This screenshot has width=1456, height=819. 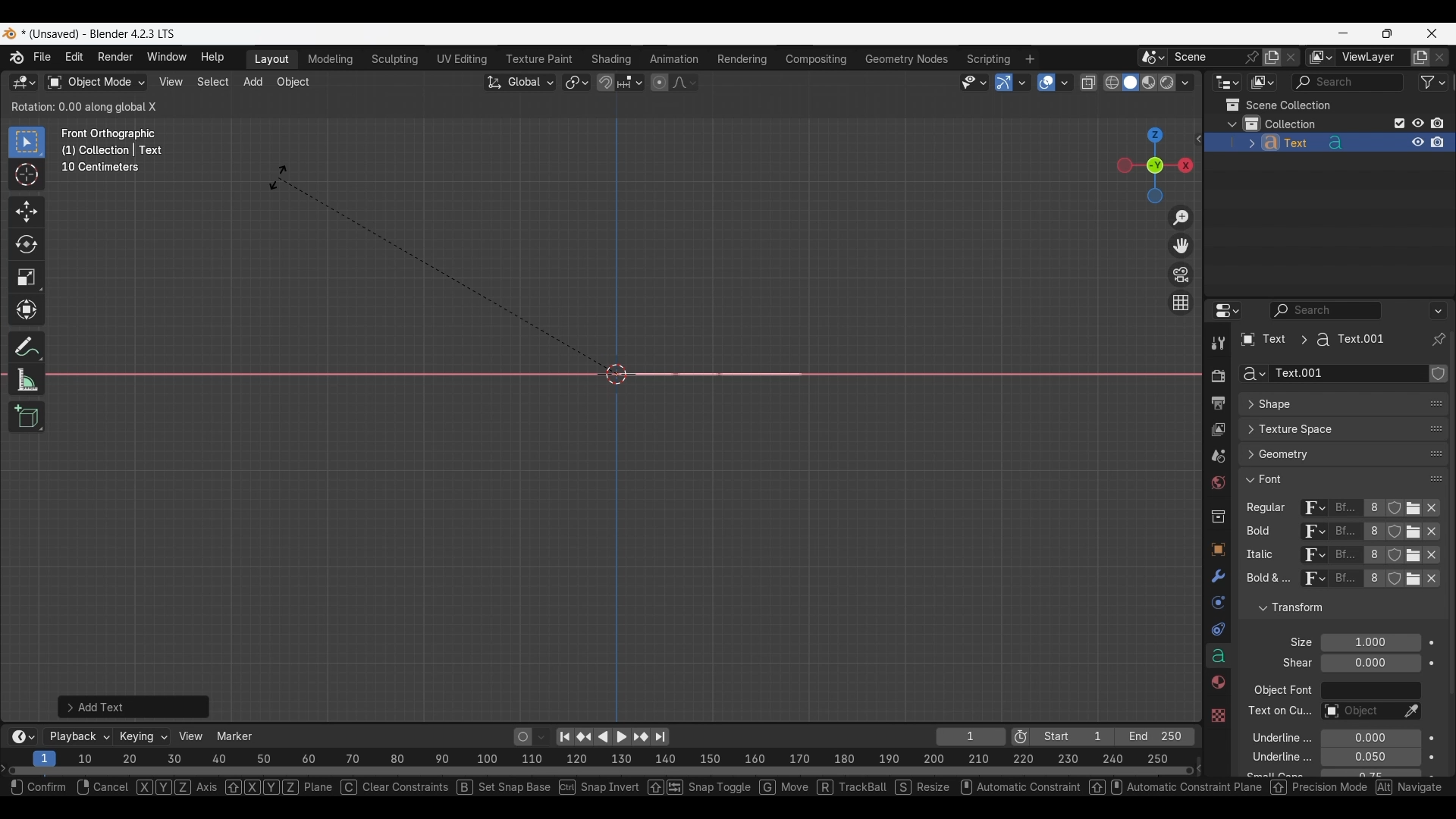 What do you see at coordinates (1373, 58) in the screenshot?
I see `Name view layer` at bounding box center [1373, 58].